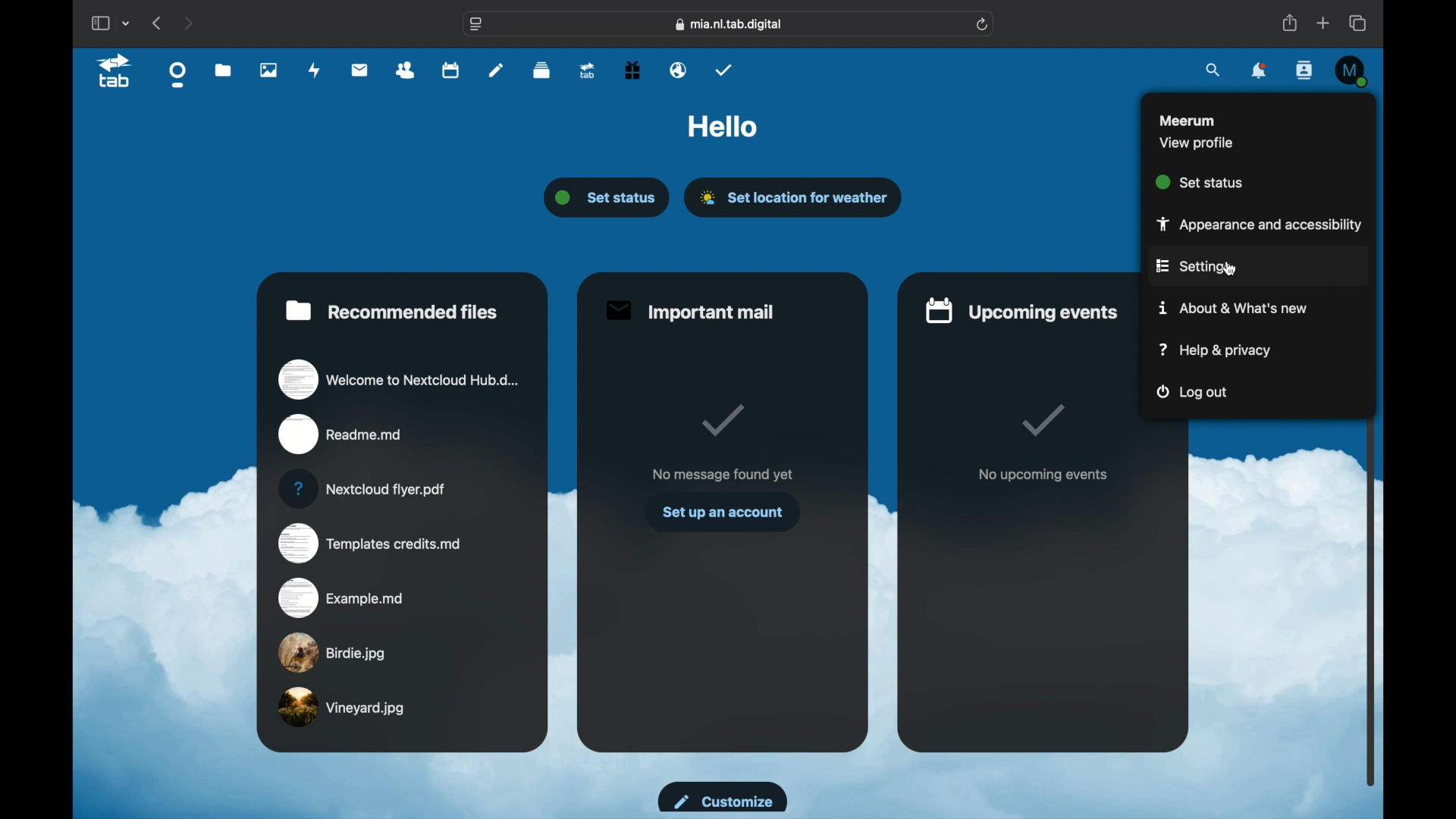 Image resolution: width=1456 pixels, height=819 pixels. Describe the element at coordinates (392, 310) in the screenshot. I see `recommendation files` at that location.